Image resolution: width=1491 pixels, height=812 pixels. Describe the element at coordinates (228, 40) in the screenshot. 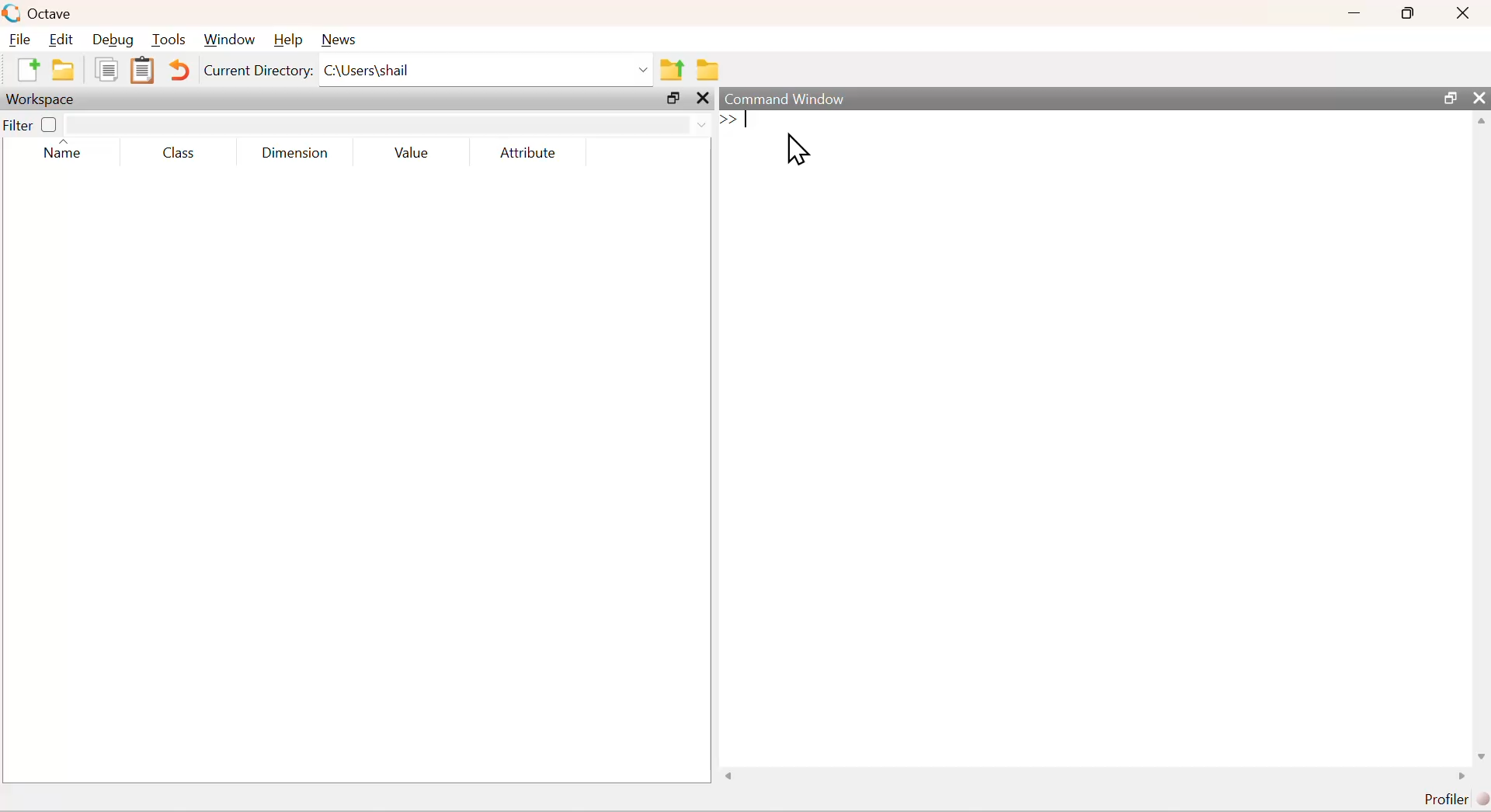

I see `Window` at that location.